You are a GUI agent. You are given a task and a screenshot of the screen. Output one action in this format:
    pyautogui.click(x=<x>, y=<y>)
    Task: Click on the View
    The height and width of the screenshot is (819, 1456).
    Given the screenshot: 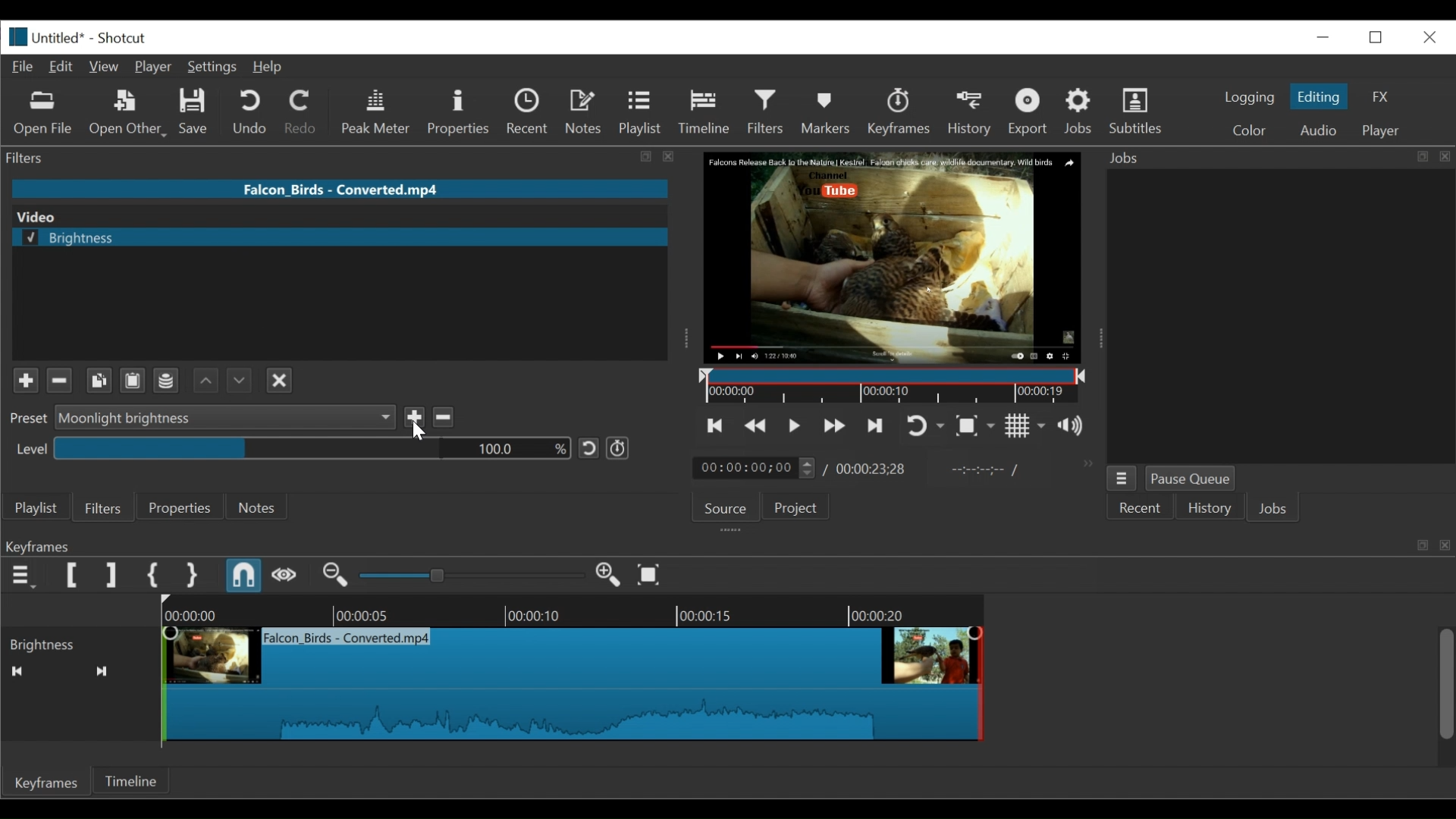 What is the action you would take?
    pyautogui.click(x=103, y=67)
    